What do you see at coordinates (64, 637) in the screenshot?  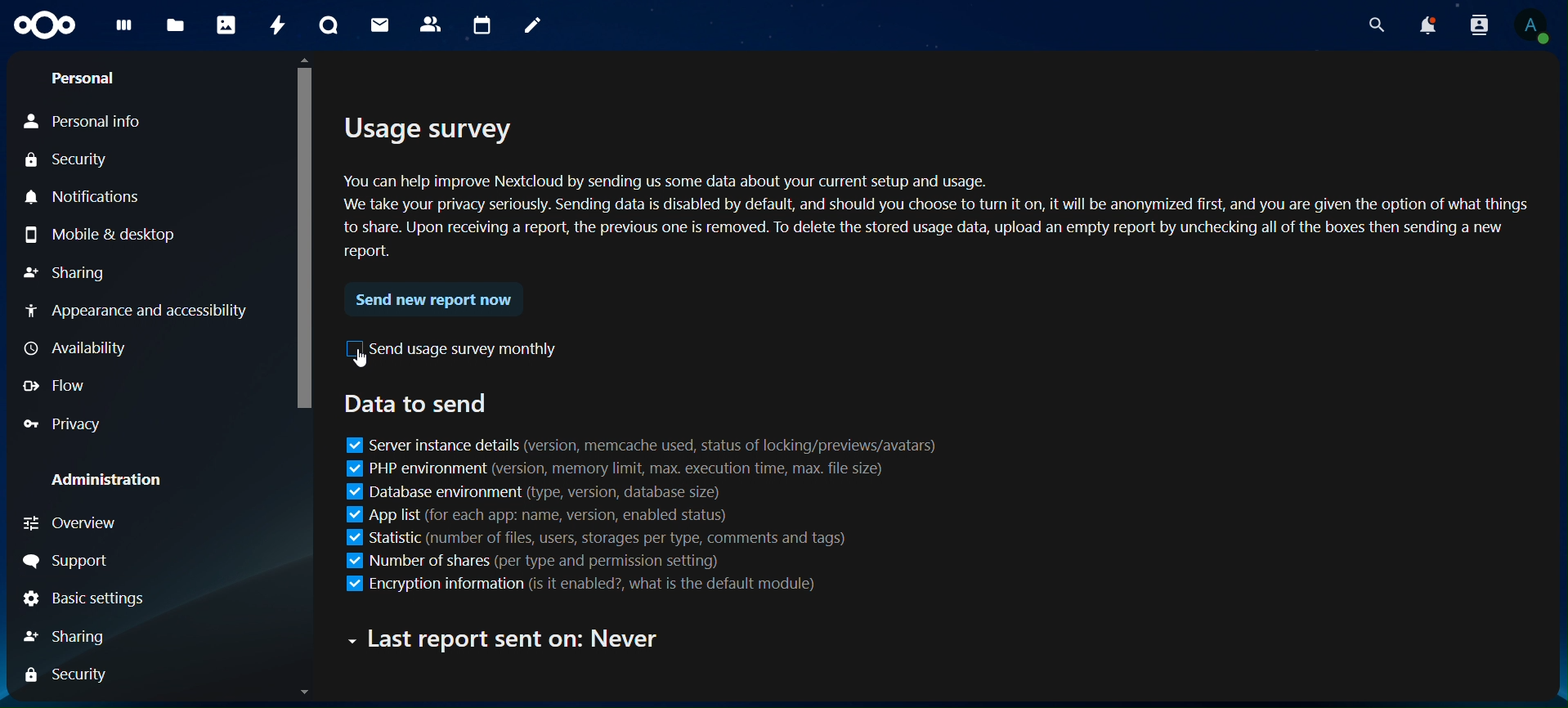 I see `Sharing` at bounding box center [64, 637].